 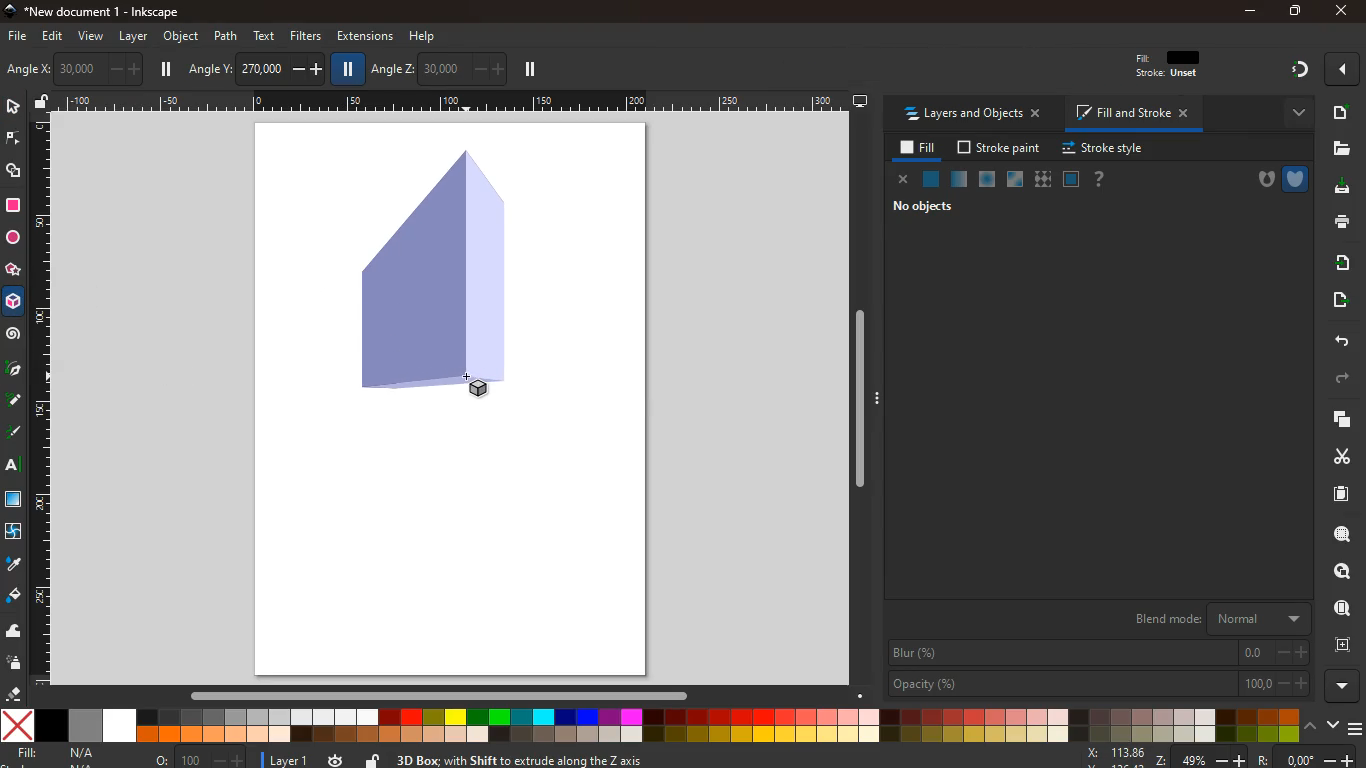 What do you see at coordinates (1293, 112) in the screenshot?
I see `more` at bounding box center [1293, 112].